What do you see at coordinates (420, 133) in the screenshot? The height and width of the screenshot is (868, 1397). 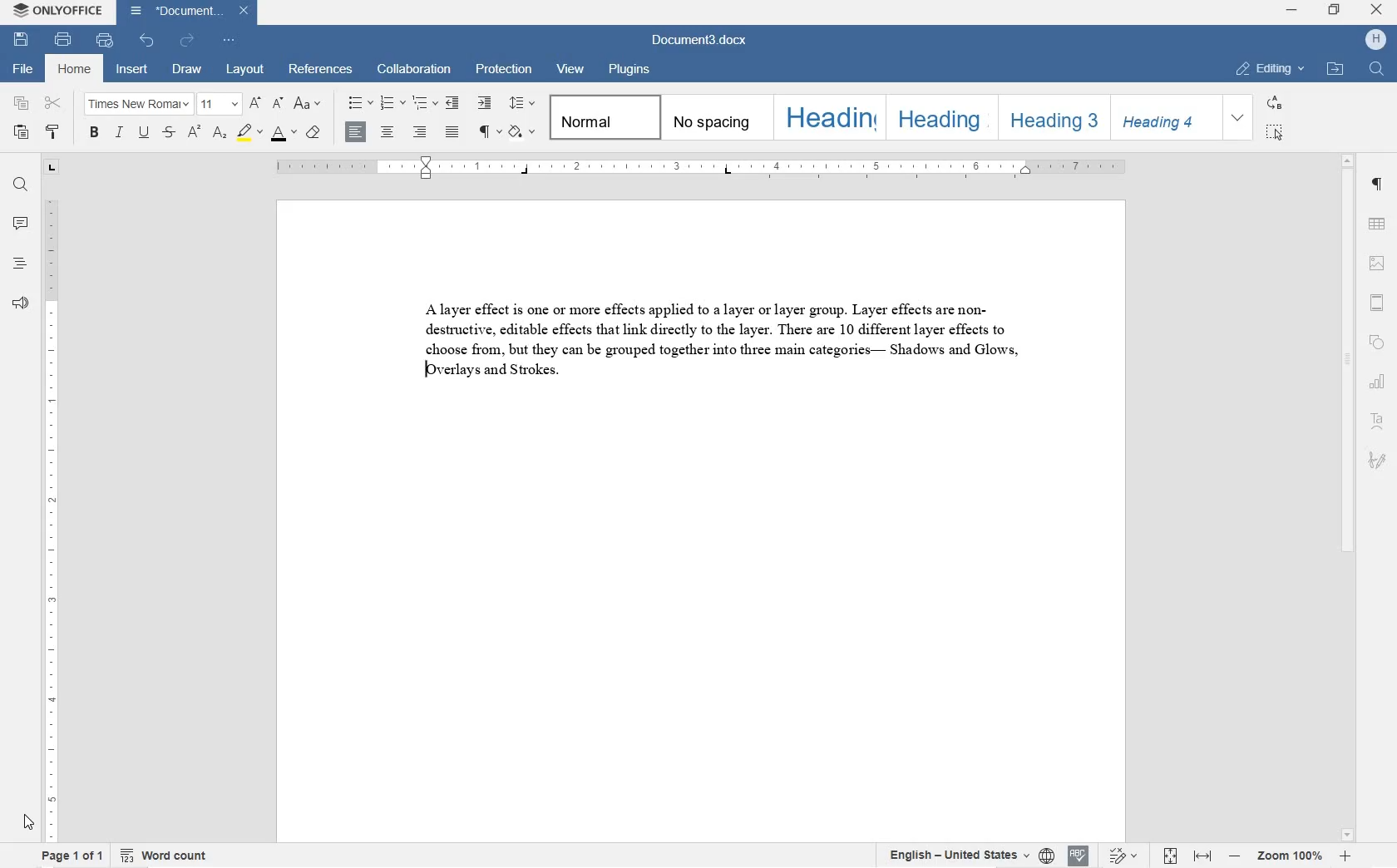 I see `ALIGN RIGHT` at bounding box center [420, 133].